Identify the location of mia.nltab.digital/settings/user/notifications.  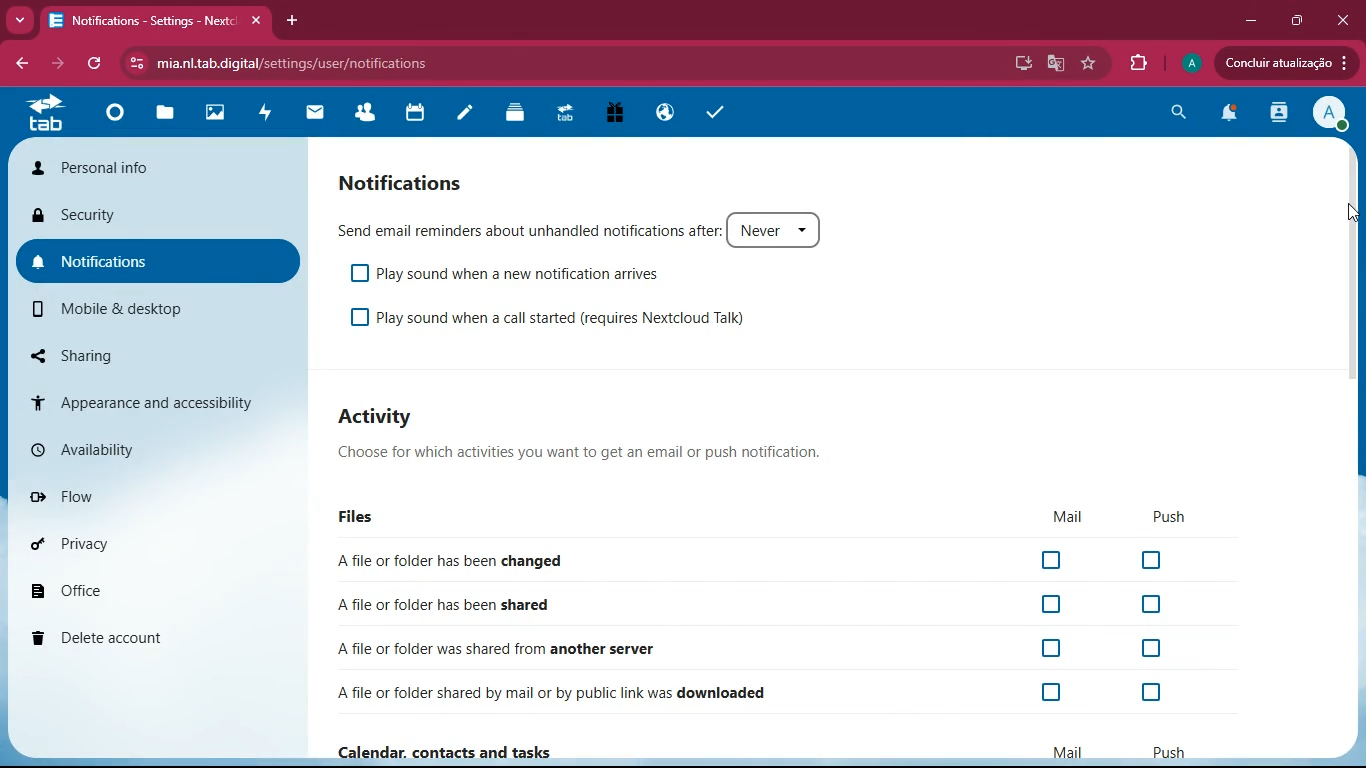
(300, 62).